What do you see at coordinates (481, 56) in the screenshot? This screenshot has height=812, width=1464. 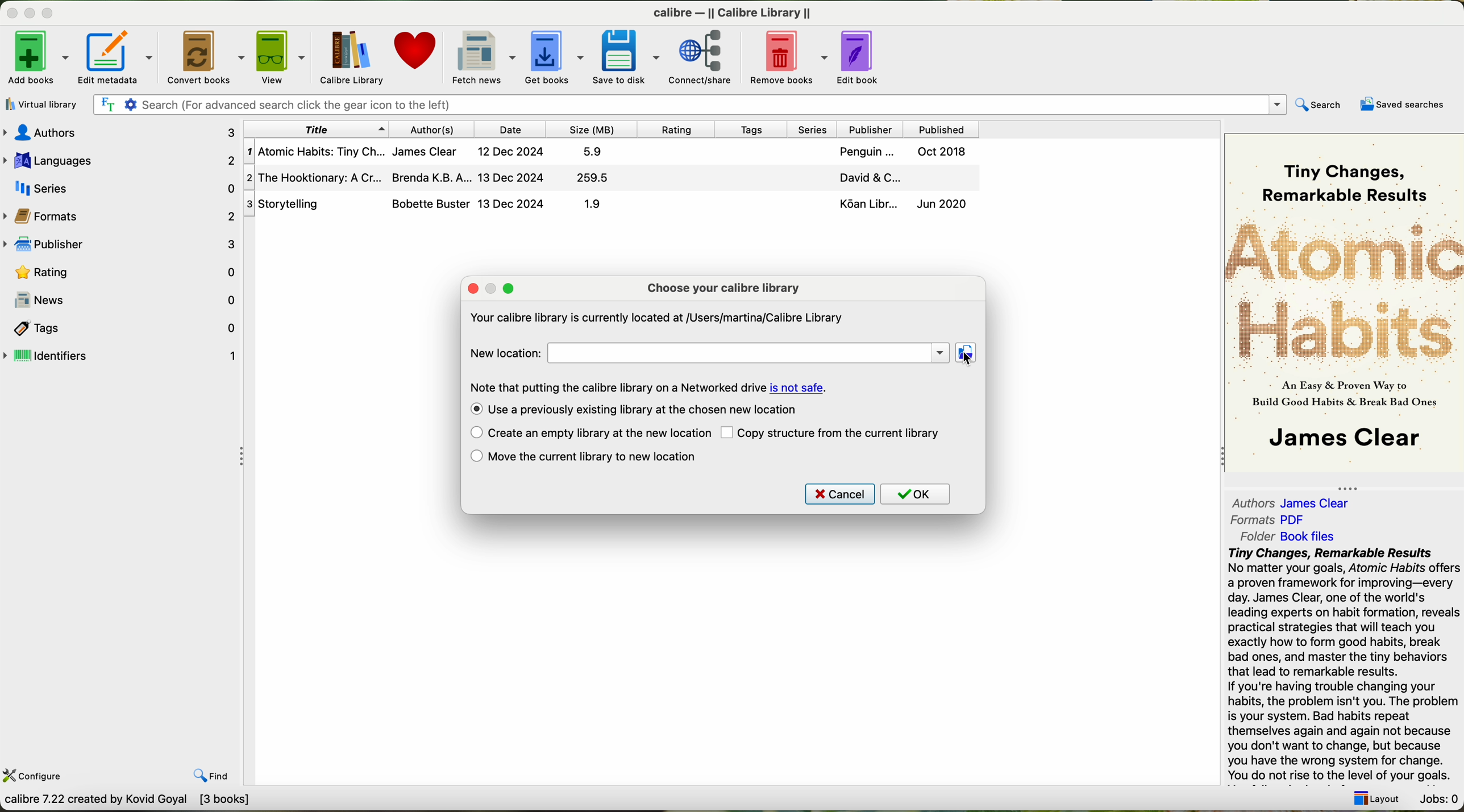 I see `fetch news` at bounding box center [481, 56].